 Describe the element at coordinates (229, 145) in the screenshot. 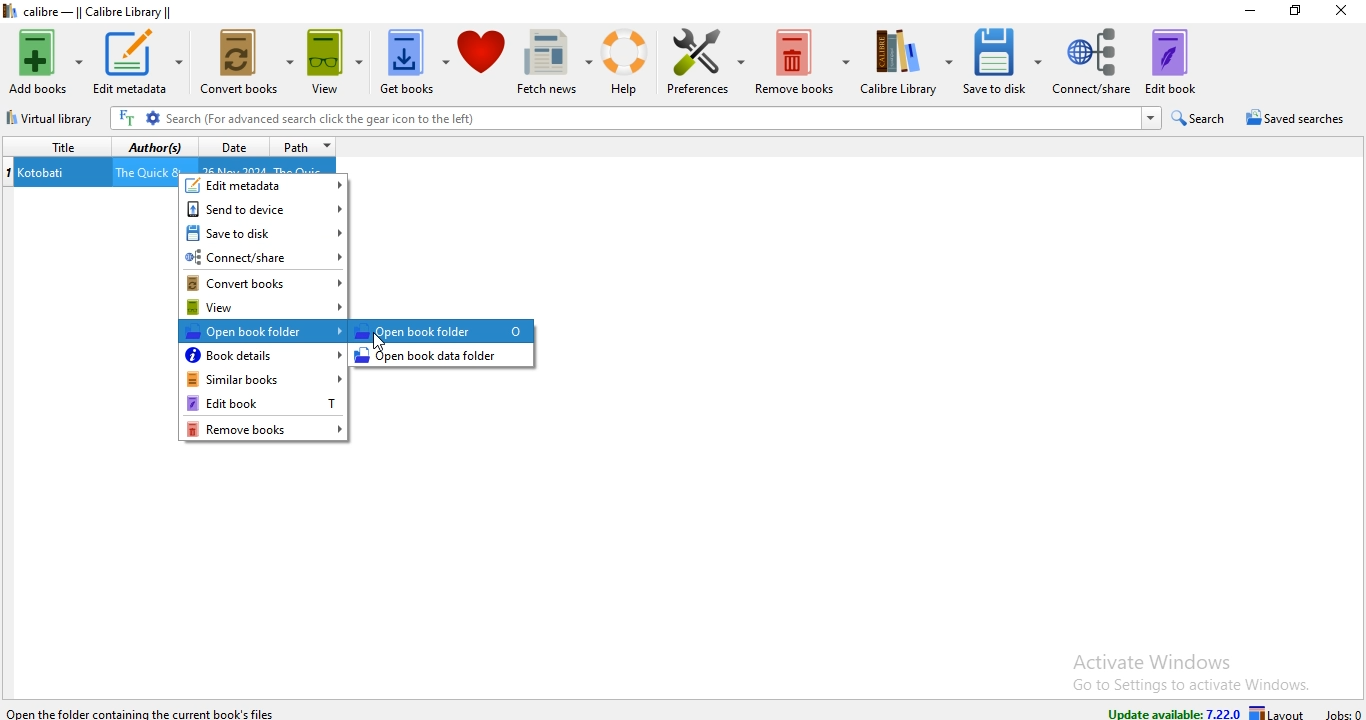

I see `date` at that location.